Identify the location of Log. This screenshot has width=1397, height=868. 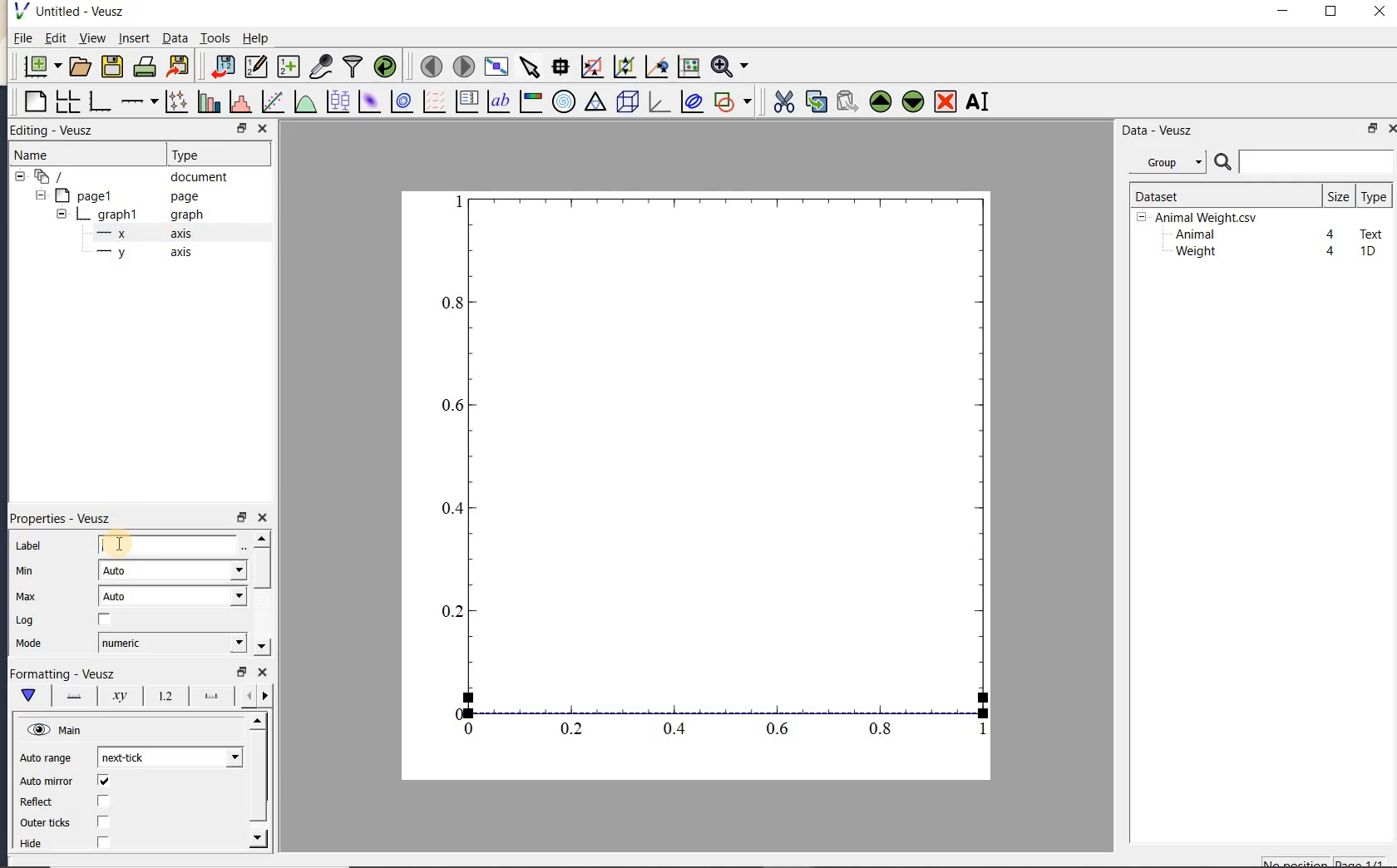
(25, 620).